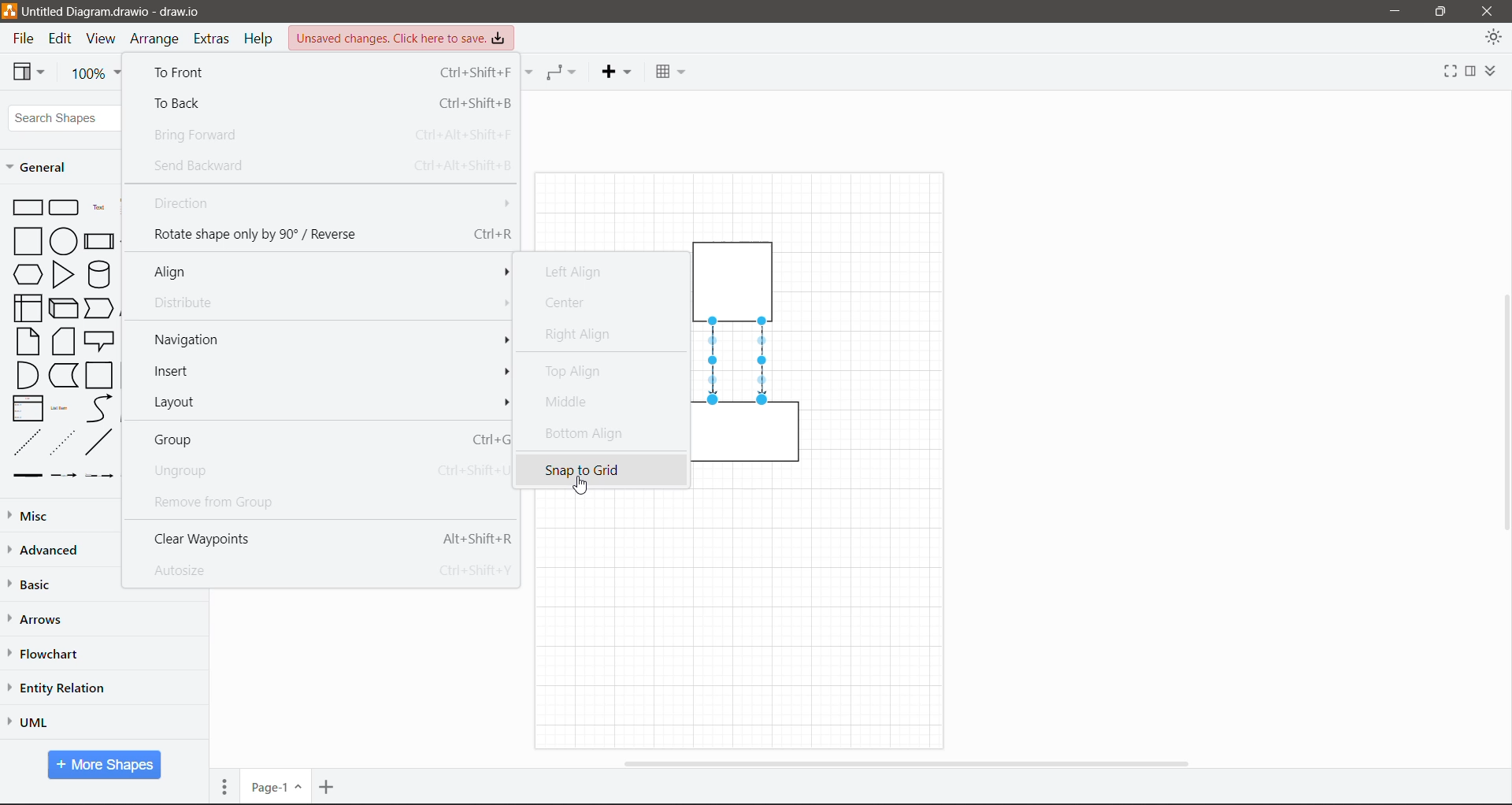  Describe the element at coordinates (27, 206) in the screenshot. I see `Rectangle` at that location.